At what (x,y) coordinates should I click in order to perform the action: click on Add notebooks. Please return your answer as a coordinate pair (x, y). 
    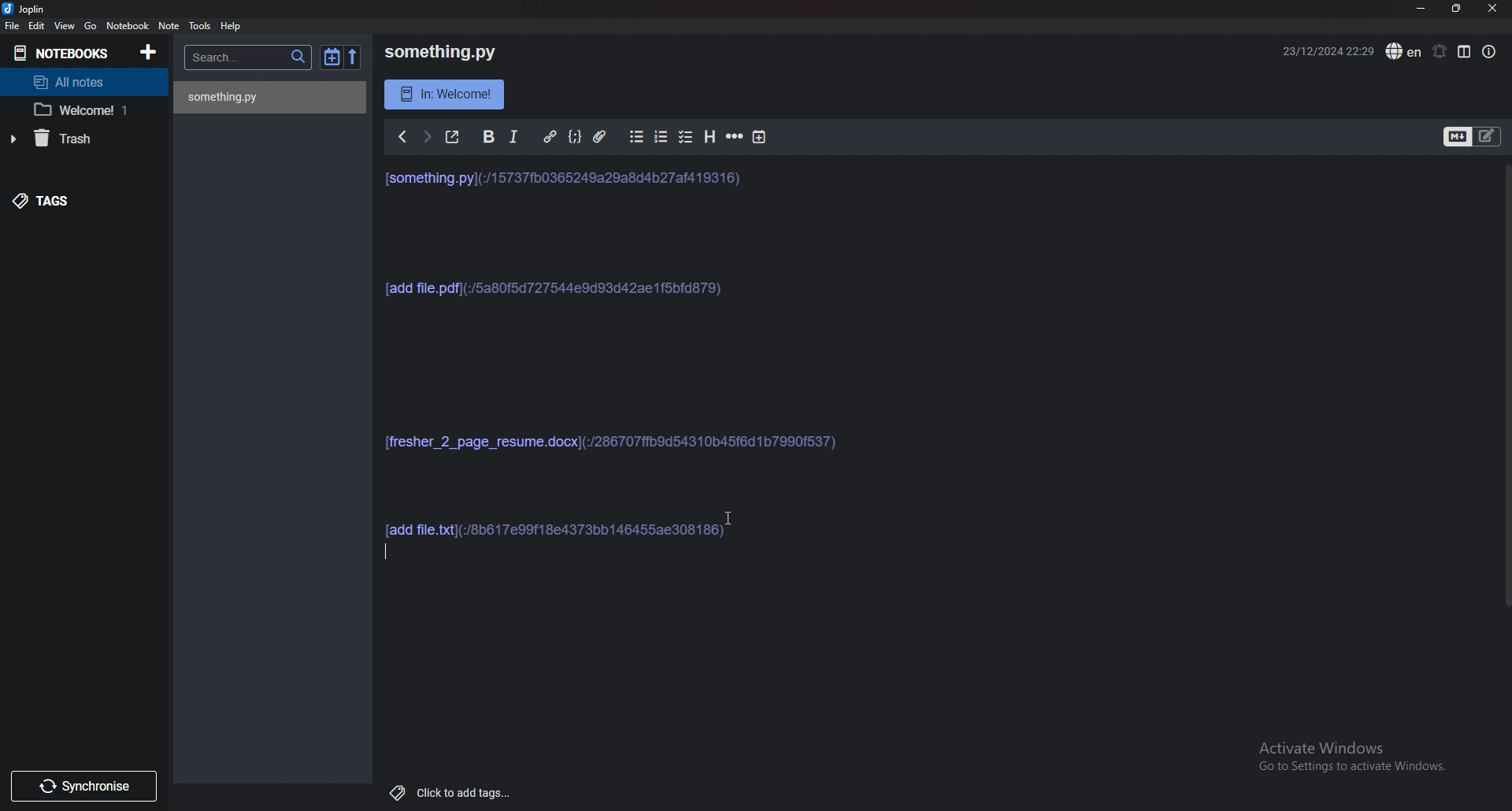
    Looking at the image, I should click on (150, 51).